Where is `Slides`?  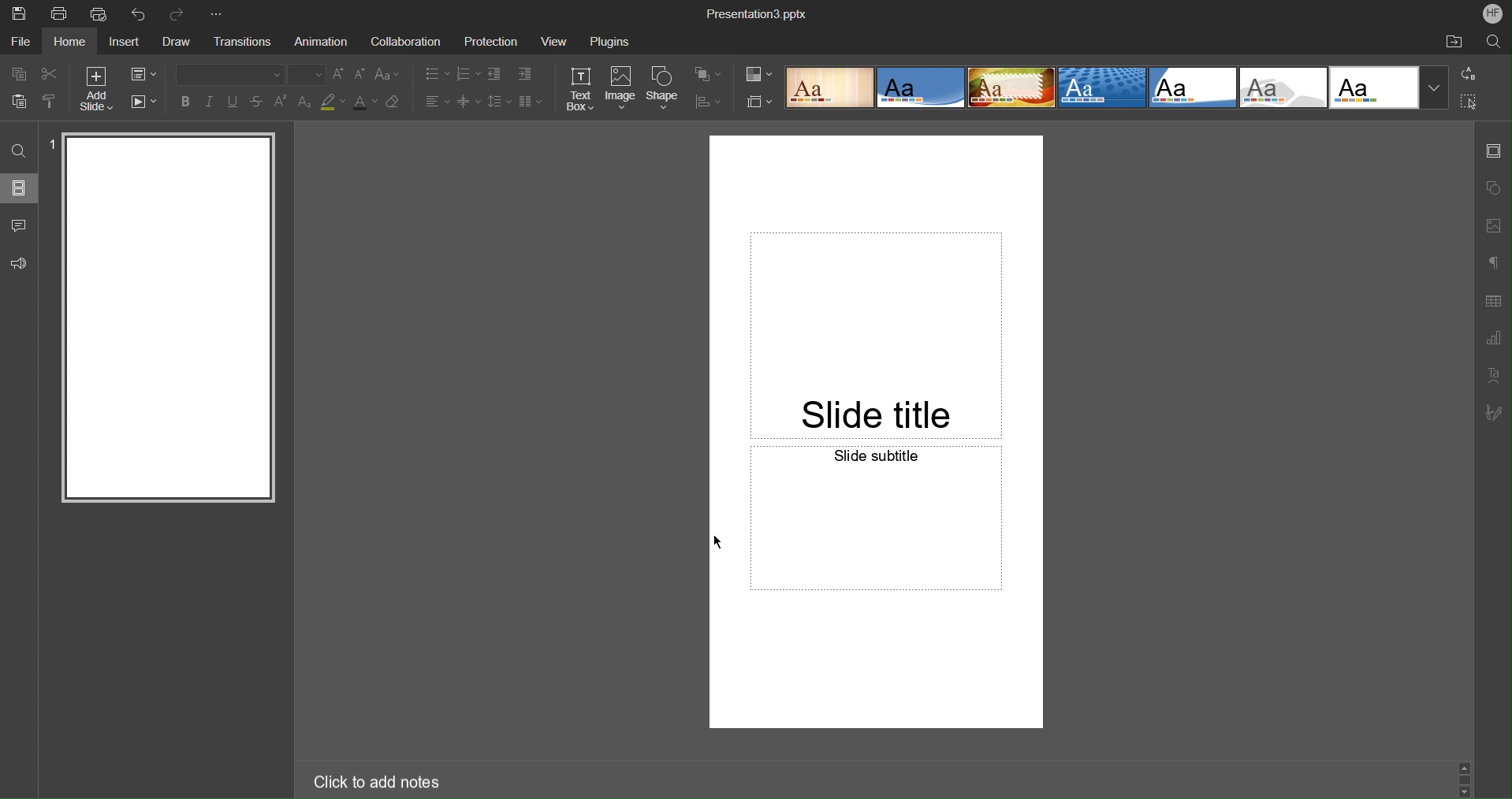 Slides is located at coordinates (19, 188).